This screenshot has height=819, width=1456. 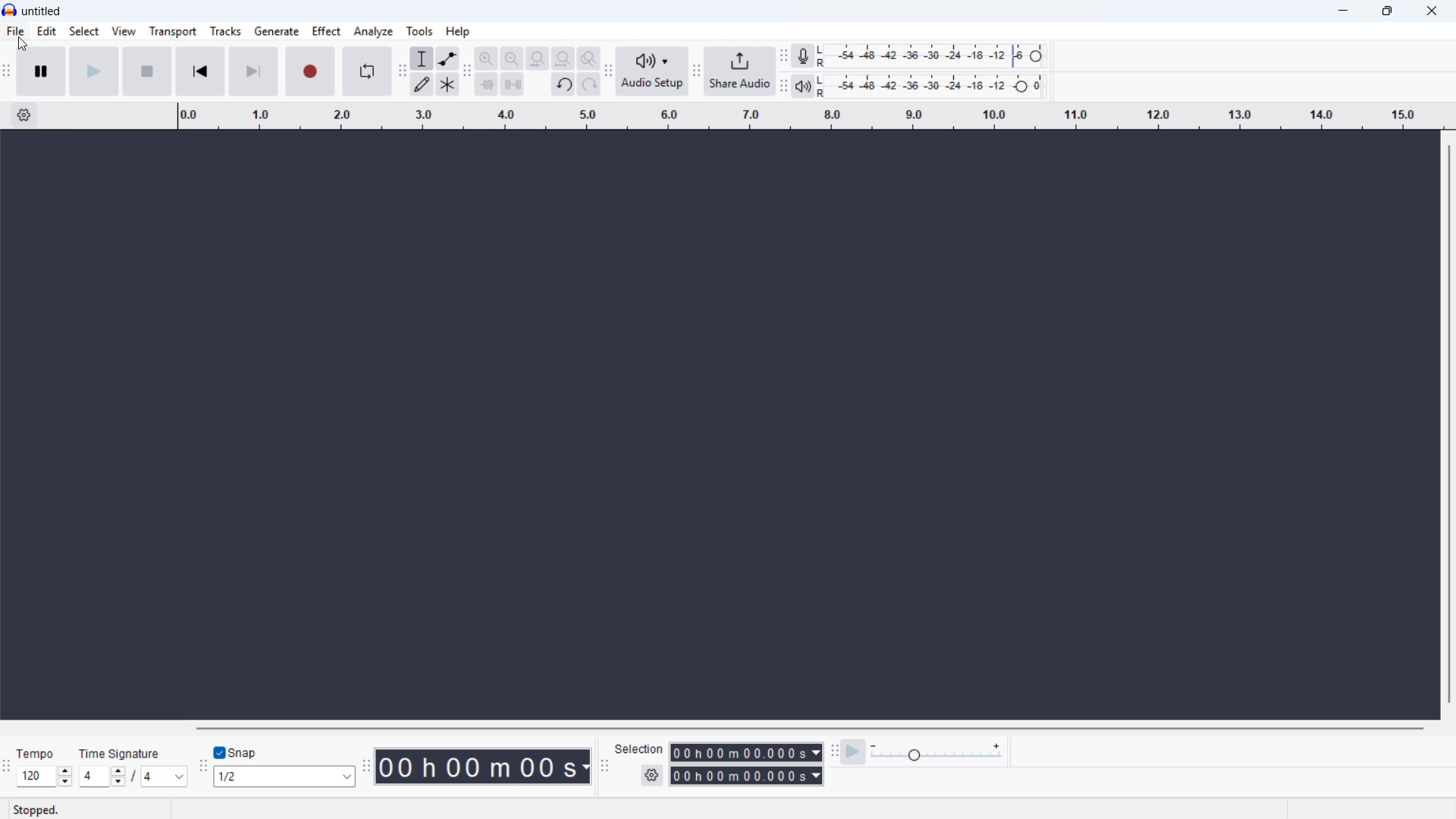 What do you see at coordinates (85, 32) in the screenshot?
I see `select ` at bounding box center [85, 32].